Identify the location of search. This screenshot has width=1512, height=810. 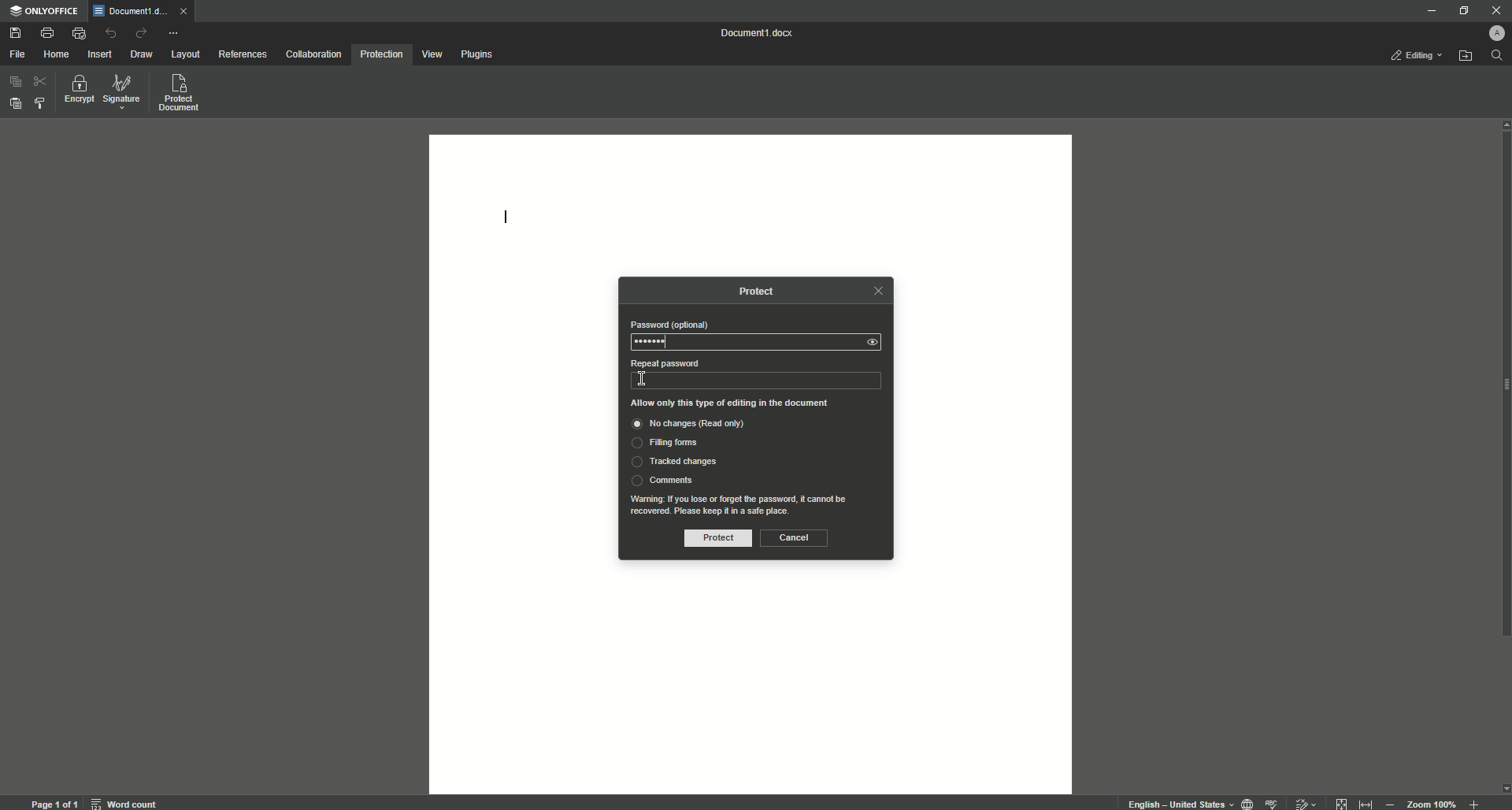
(1498, 56).